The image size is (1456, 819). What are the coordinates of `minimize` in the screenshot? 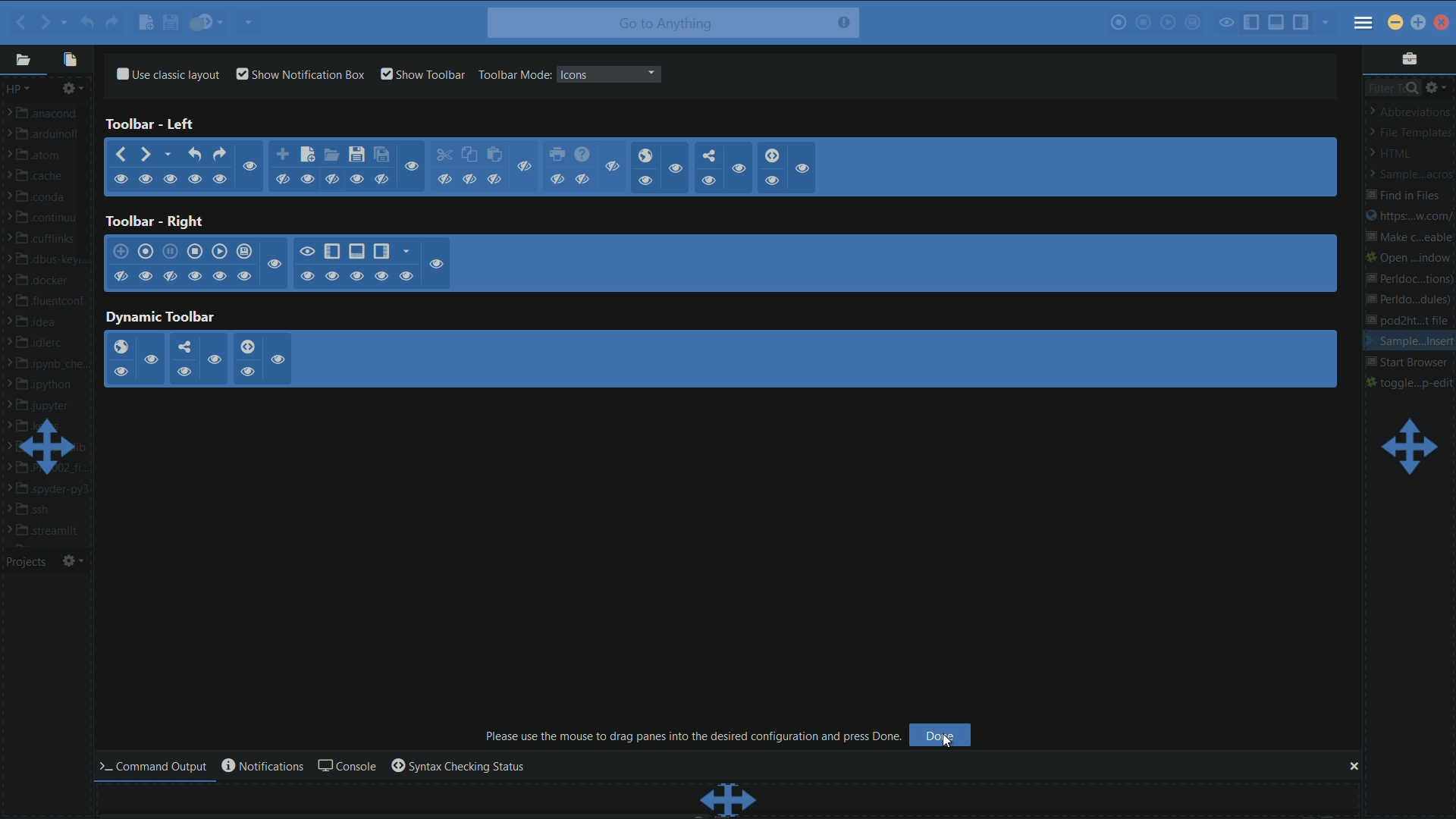 It's located at (1394, 22).